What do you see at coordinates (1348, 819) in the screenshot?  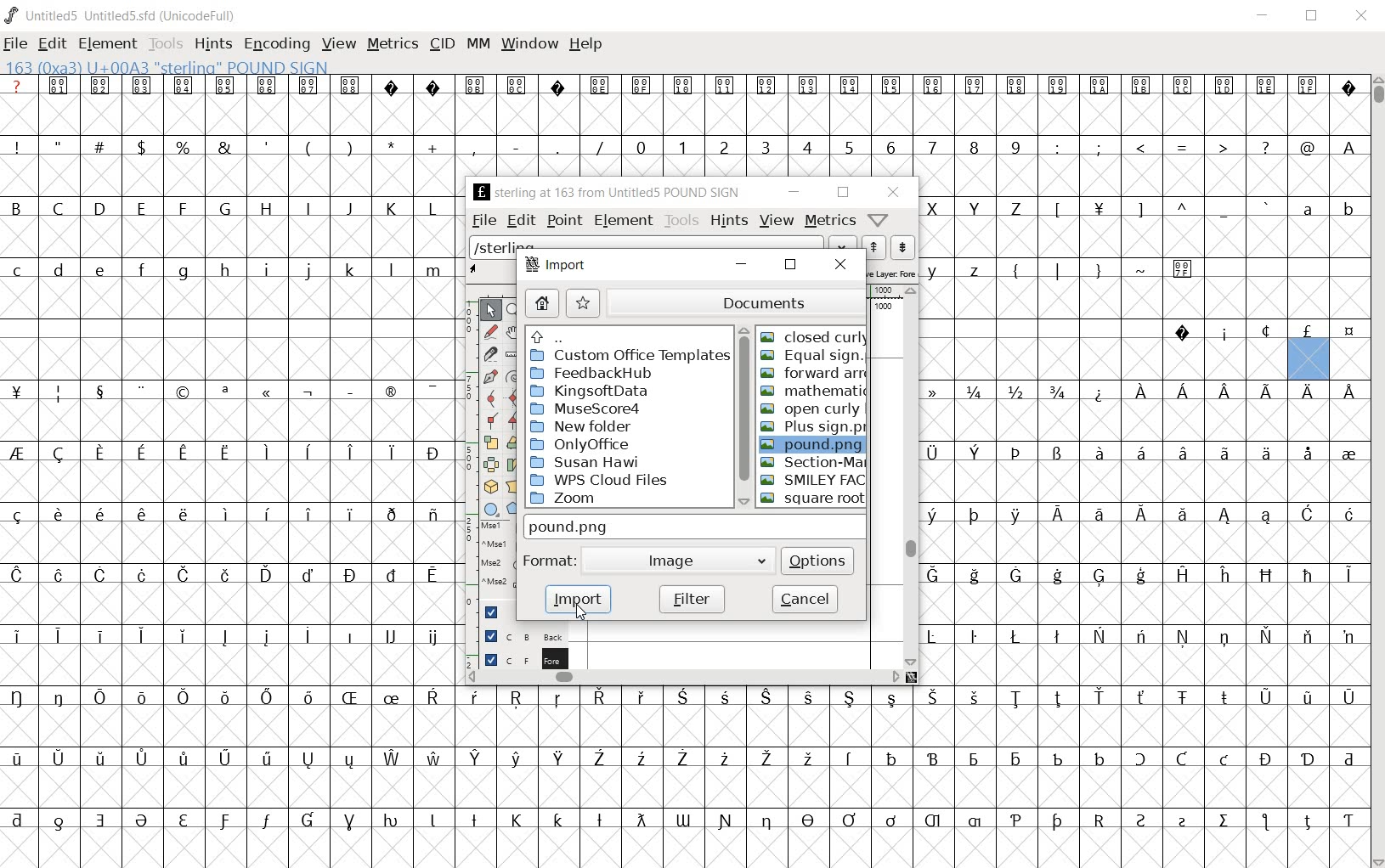 I see `Symbol` at bounding box center [1348, 819].